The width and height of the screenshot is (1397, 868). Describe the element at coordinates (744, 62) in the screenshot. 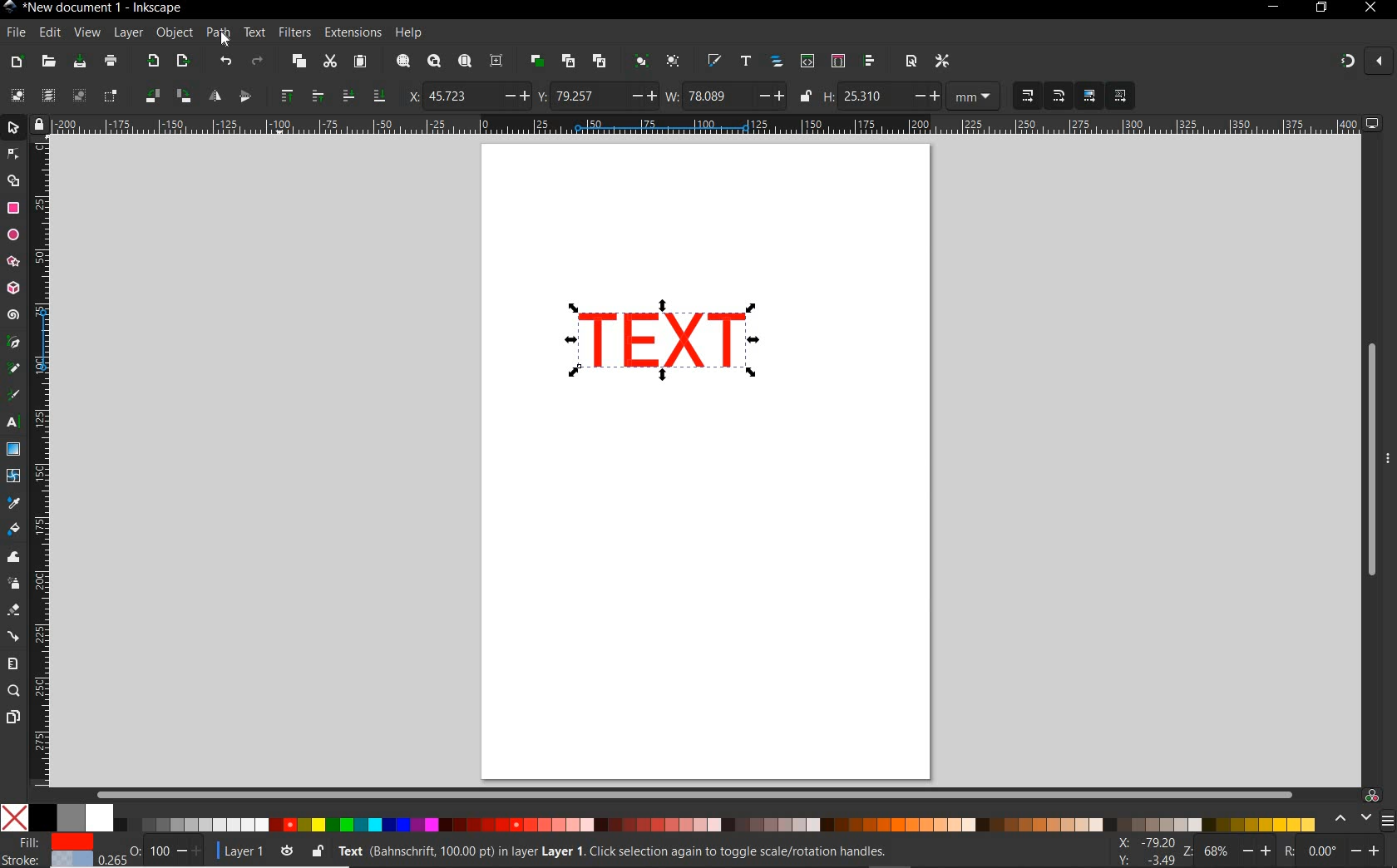

I see `OPEN TEXT` at that location.